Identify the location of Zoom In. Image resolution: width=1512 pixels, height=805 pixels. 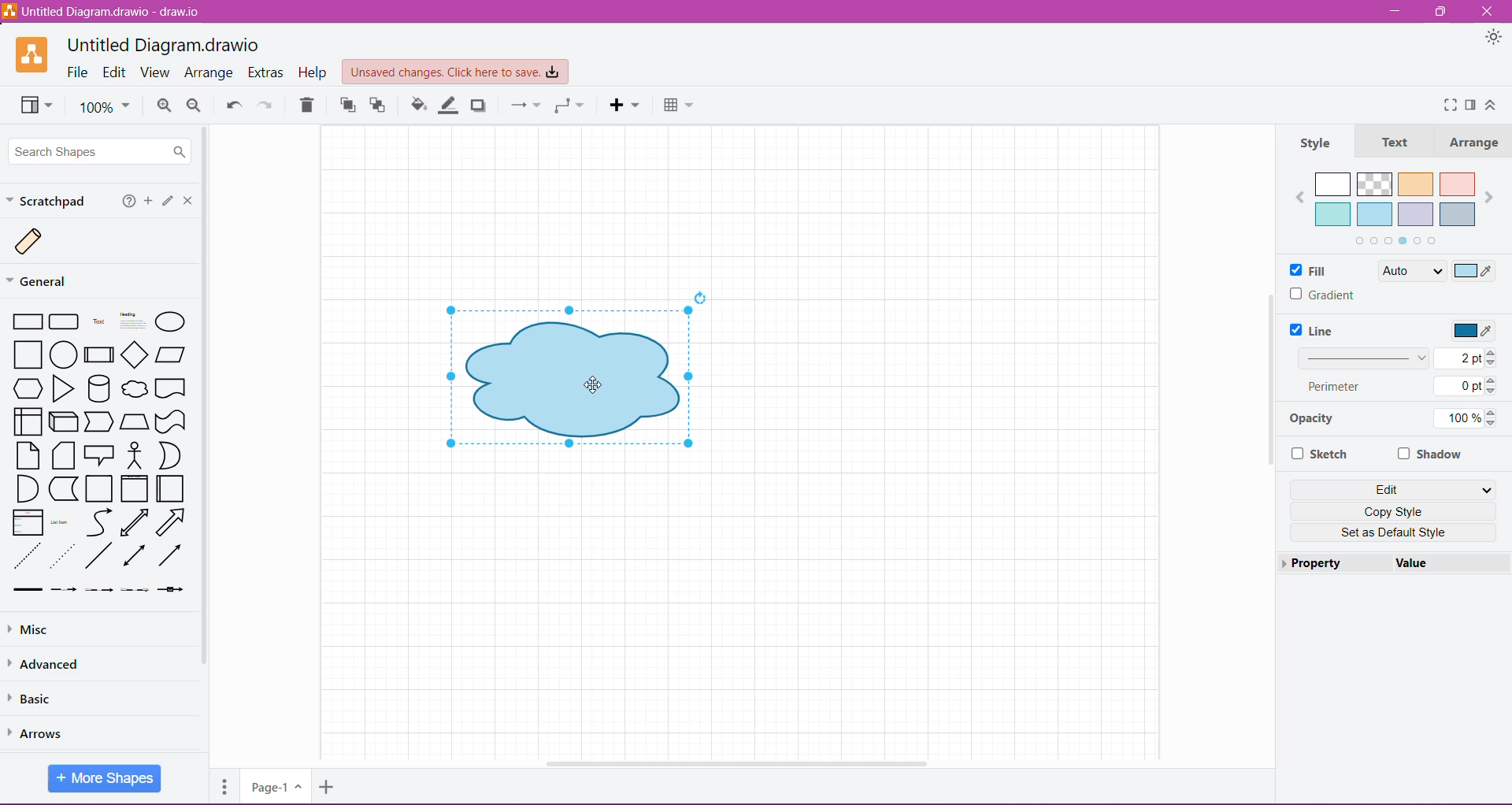
(162, 106).